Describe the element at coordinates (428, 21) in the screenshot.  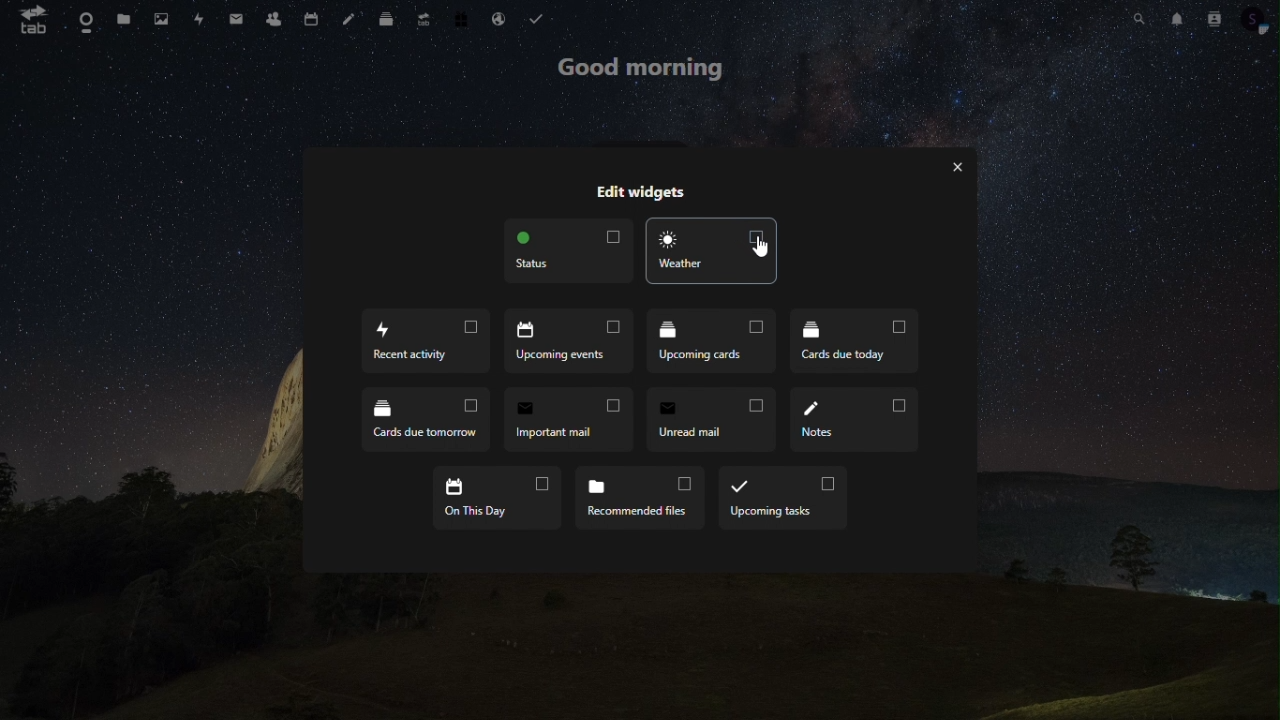
I see `upgrade` at that location.